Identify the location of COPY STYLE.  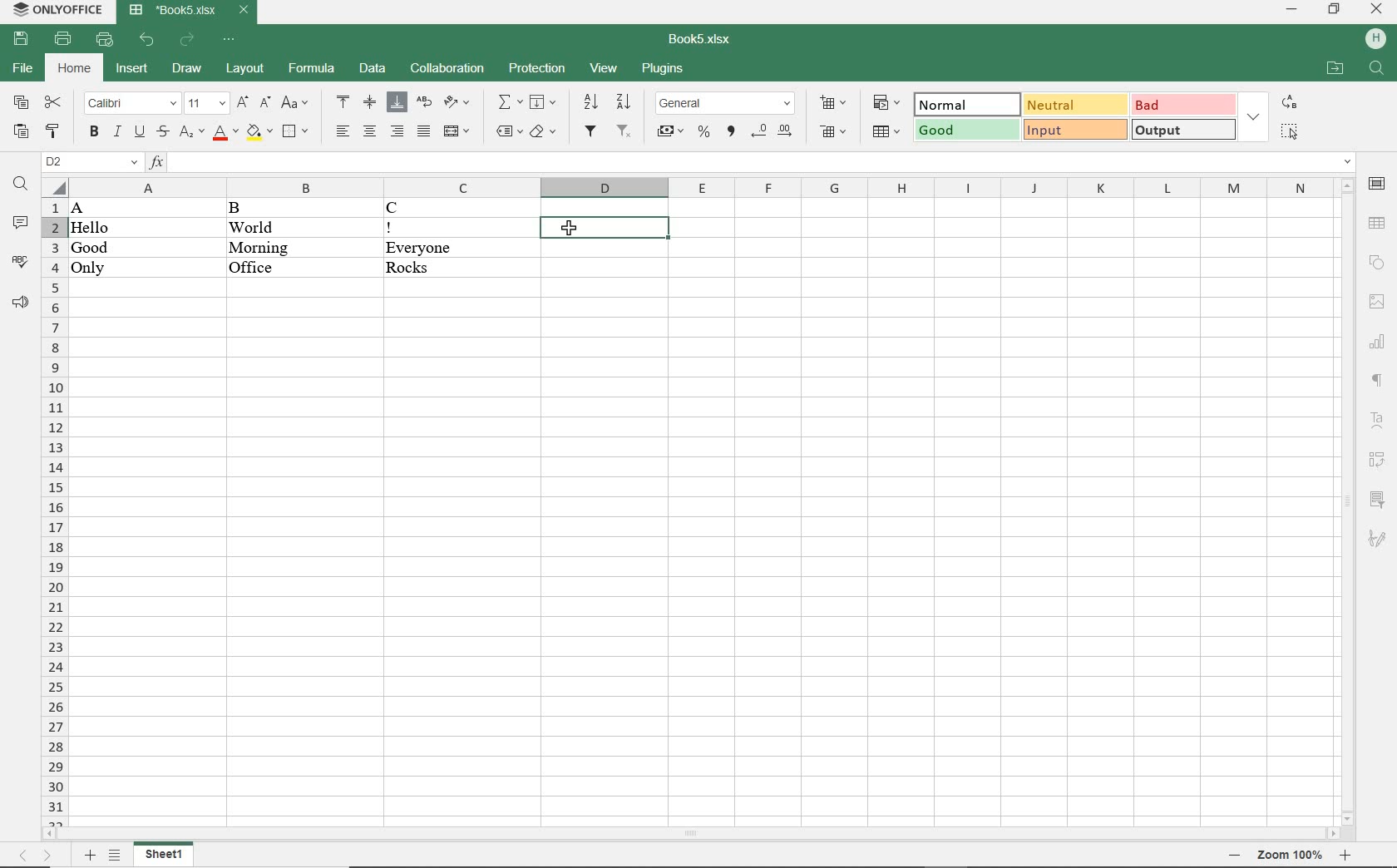
(54, 128).